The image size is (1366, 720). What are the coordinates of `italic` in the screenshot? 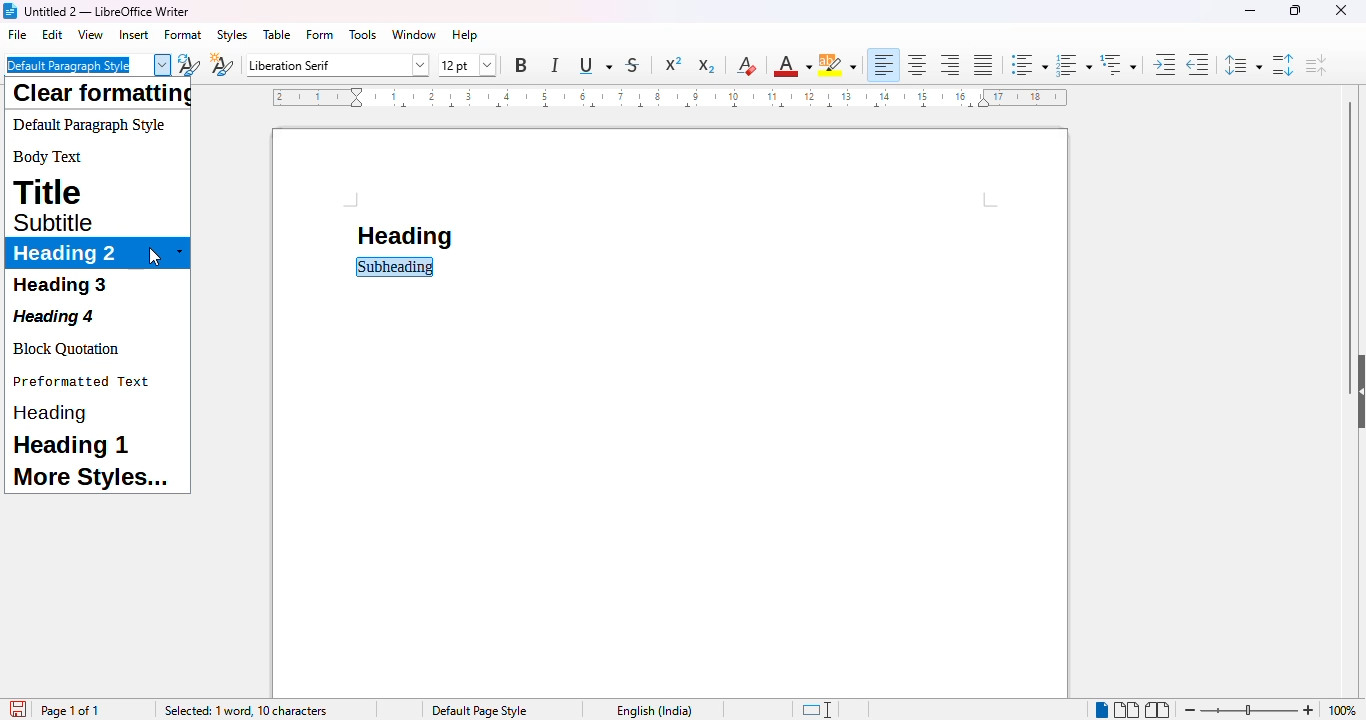 It's located at (555, 64).